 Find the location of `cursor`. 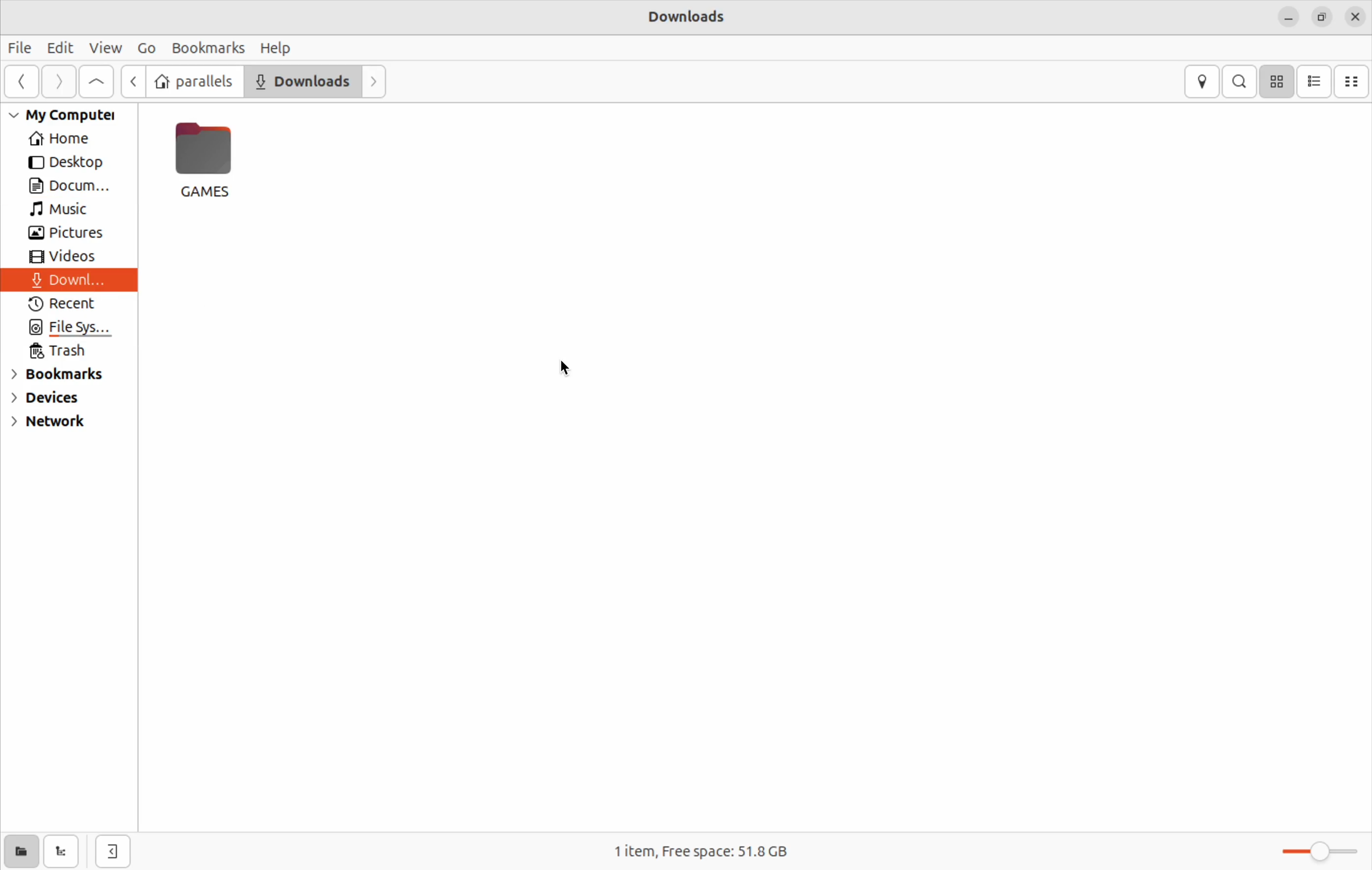

cursor is located at coordinates (575, 369).